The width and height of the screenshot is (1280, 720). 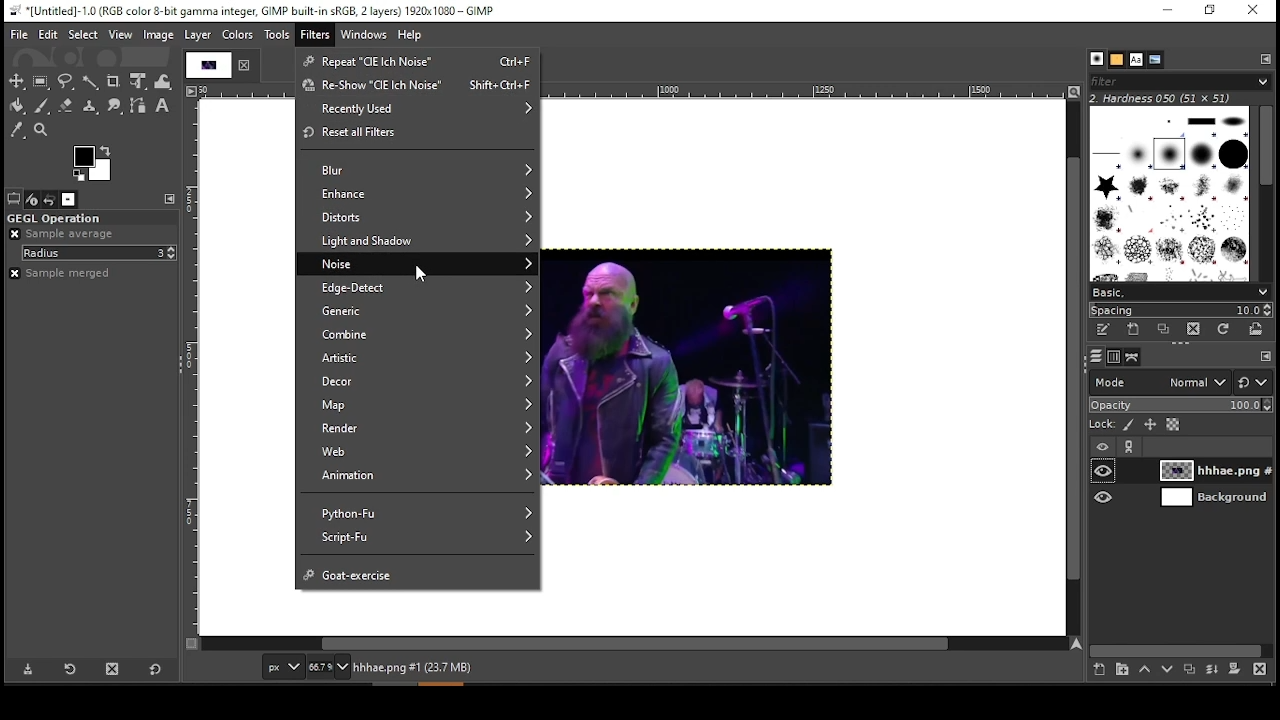 What do you see at coordinates (1197, 330) in the screenshot?
I see `delete brush` at bounding box center [1197, 330].